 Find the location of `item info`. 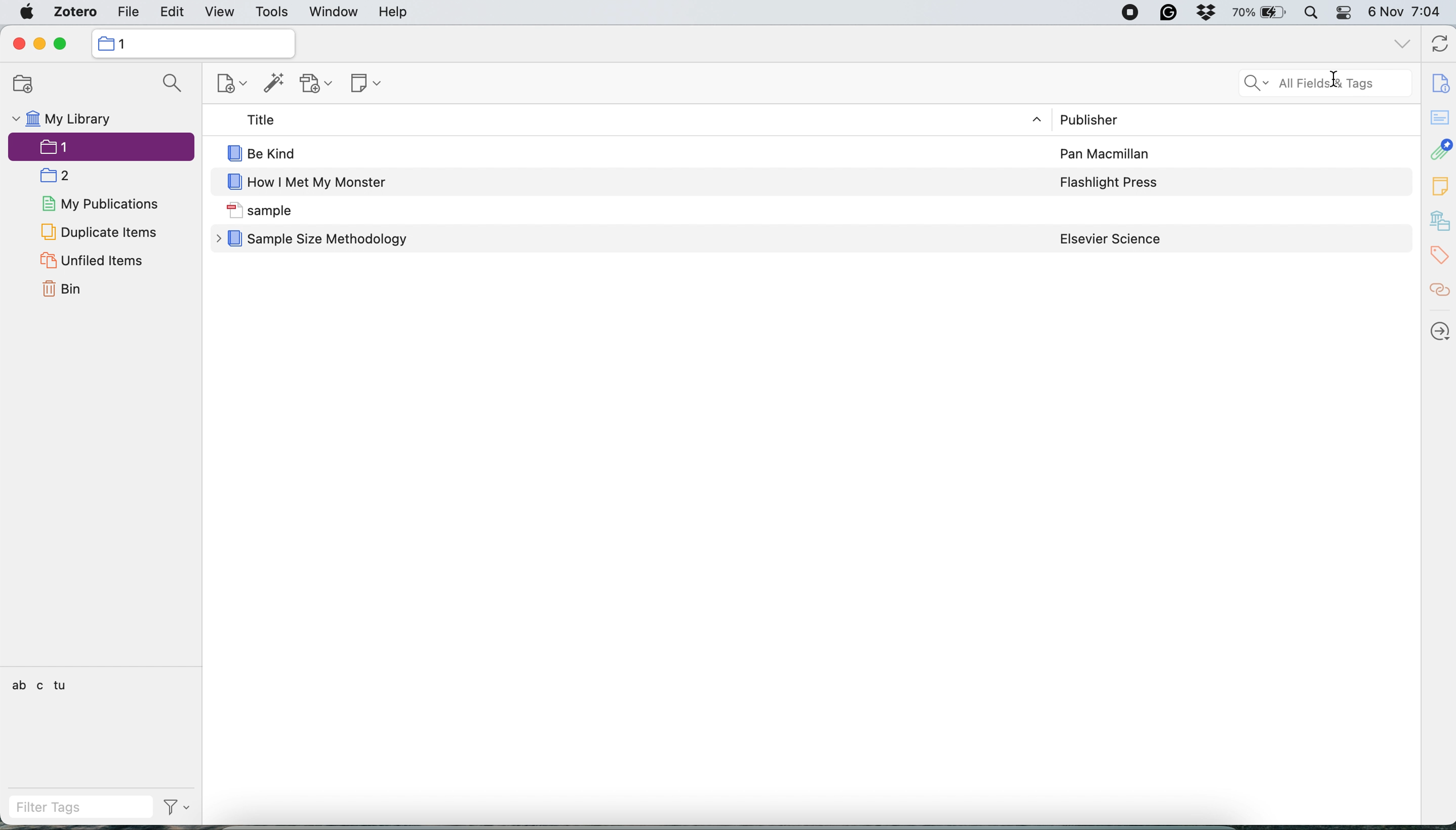

item info is located at coordinates (1438, 80).